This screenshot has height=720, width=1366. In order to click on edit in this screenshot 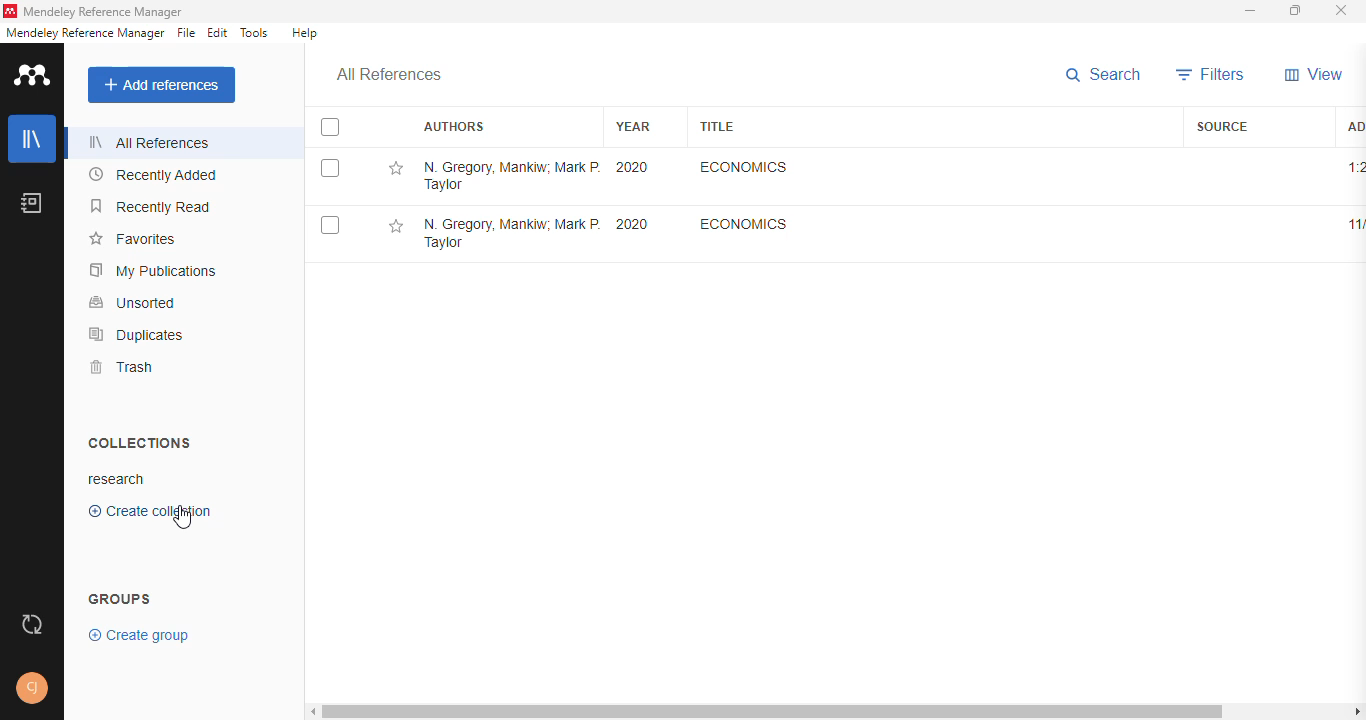, I will do `click(219, 33)`.